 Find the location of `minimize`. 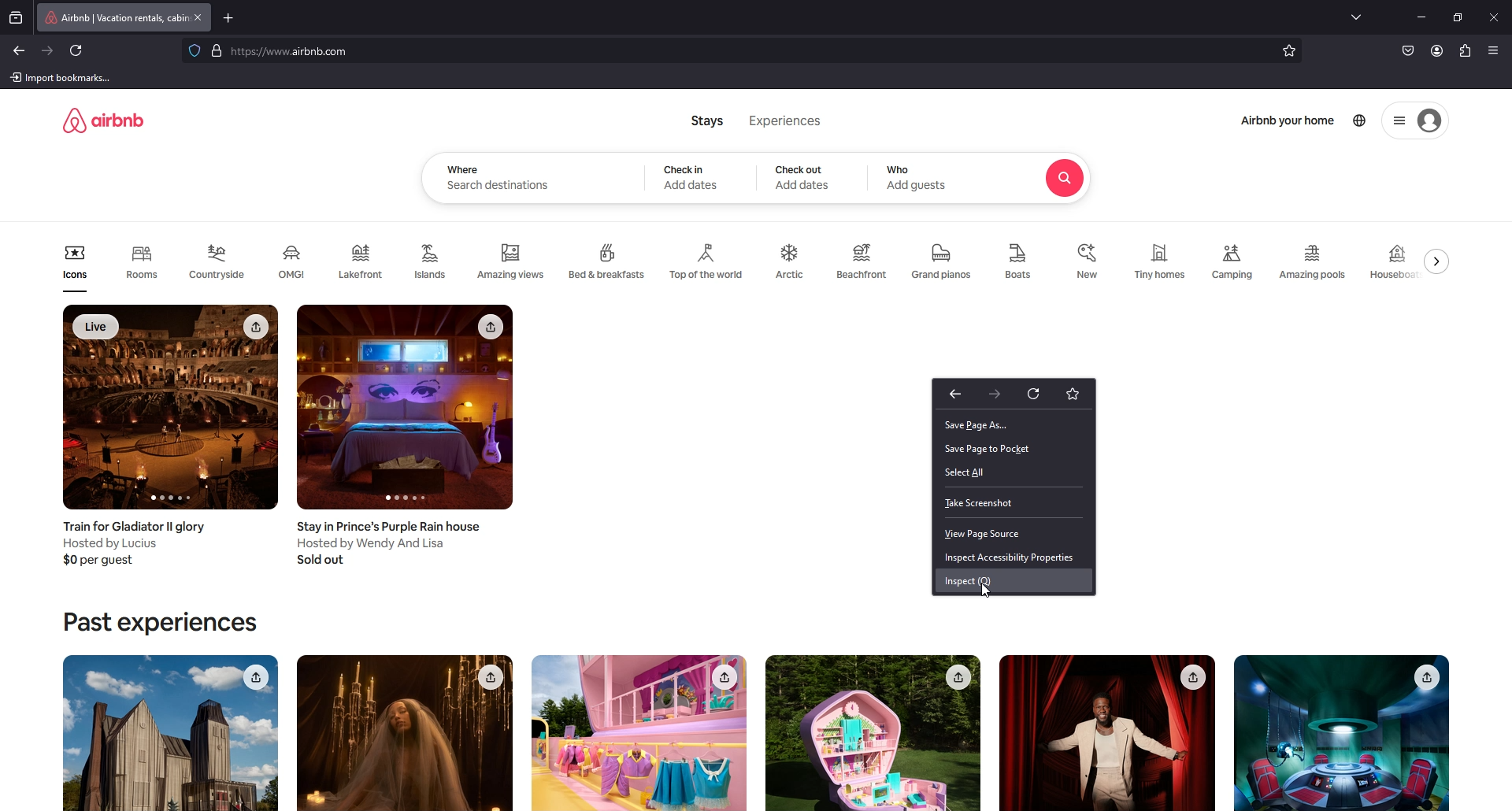

minimize is located at coordinates (1421, 17).